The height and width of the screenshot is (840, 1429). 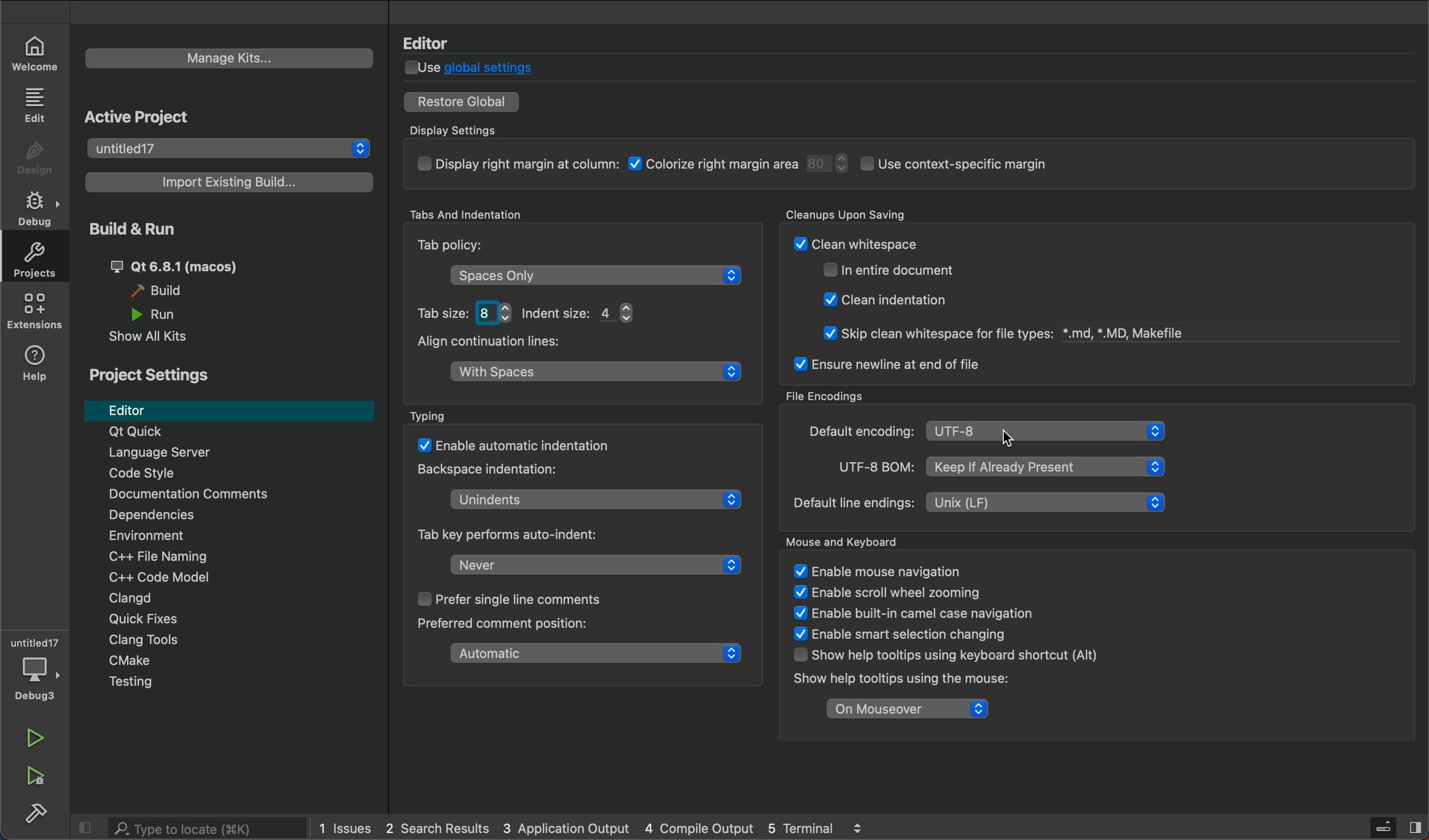 What do you see at coordinates (869, 164) in the screenshot?
I see `display setings` at bounding box center [869, 164].